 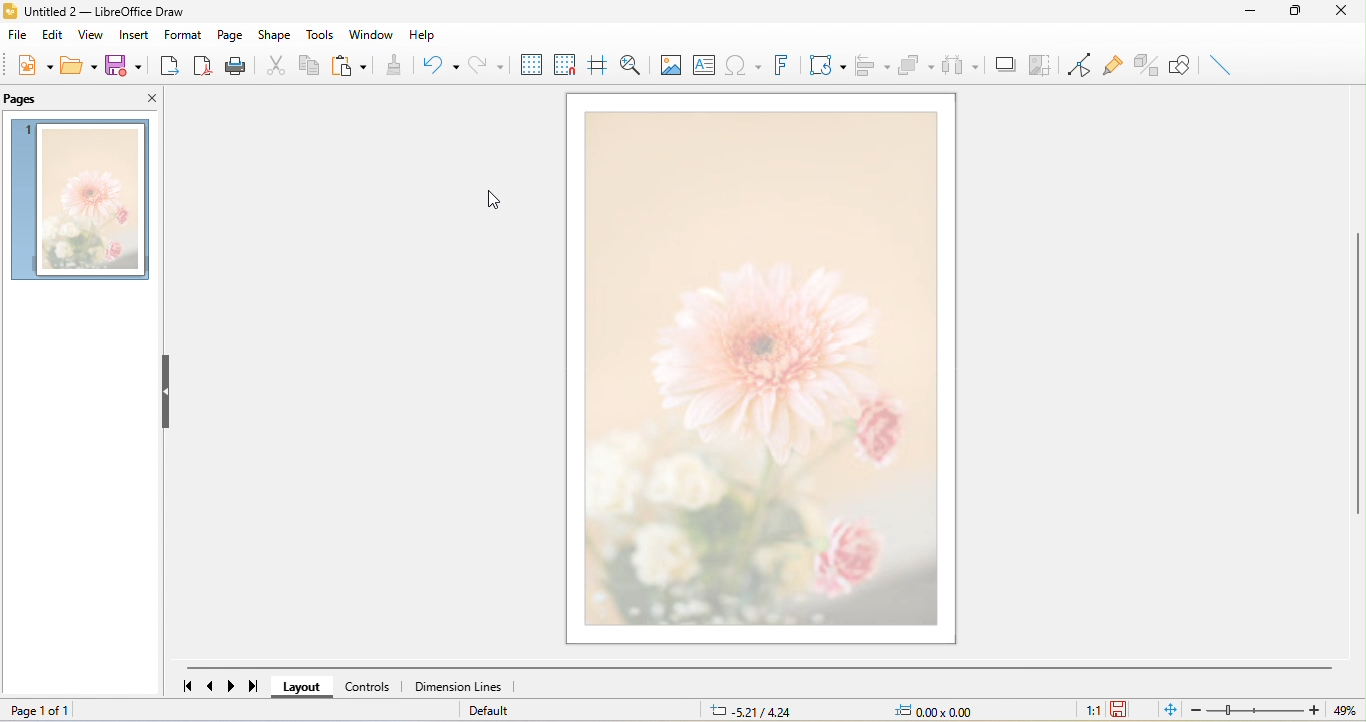 What do you see at coordinates (1346, 14) in the screenshot?
I see `close` at bounding box center [1346, 14].